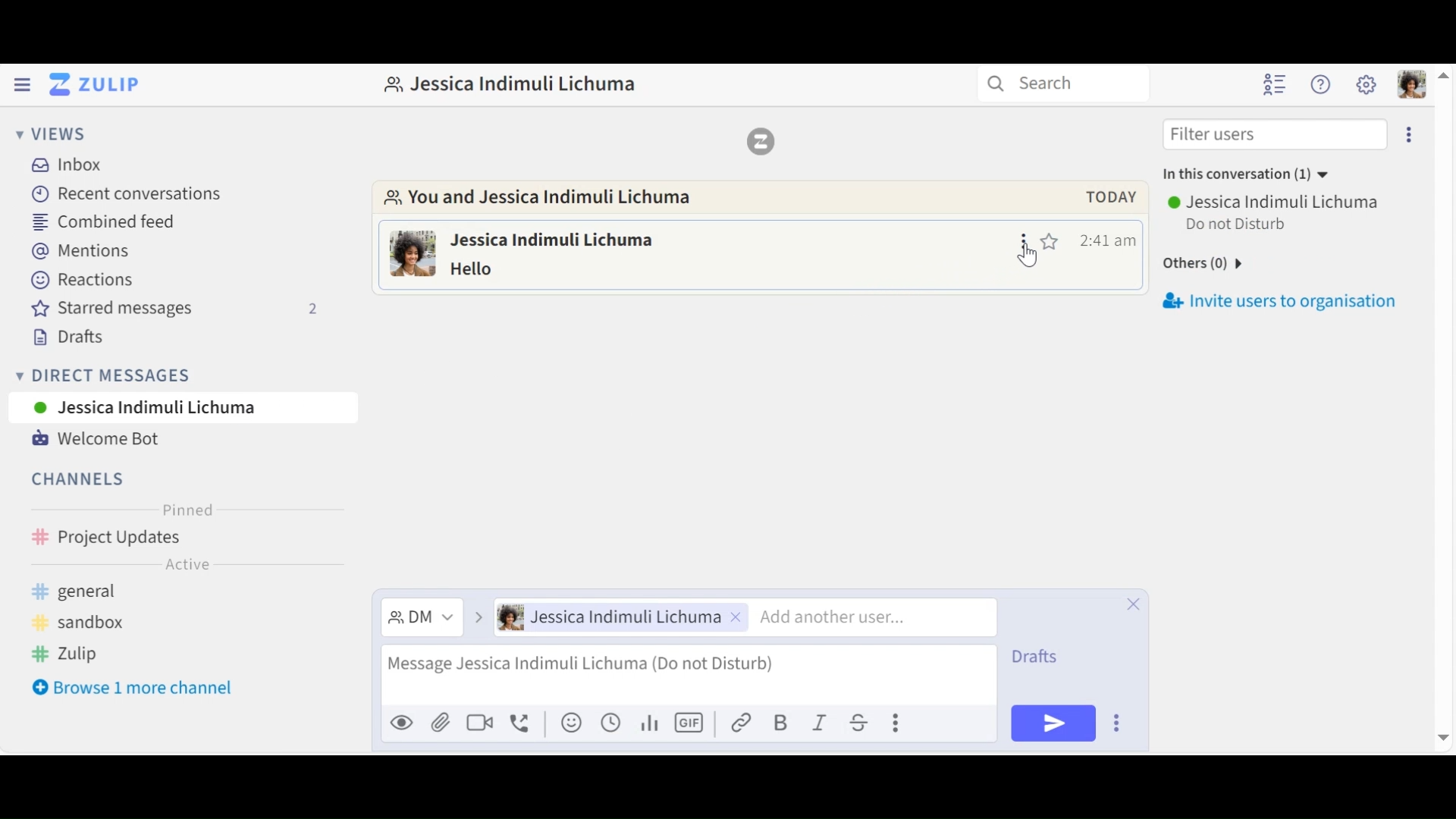  What do you see at coordinates (103, 439) in the screenshot?
I see `` at bounding box center [103, 439].